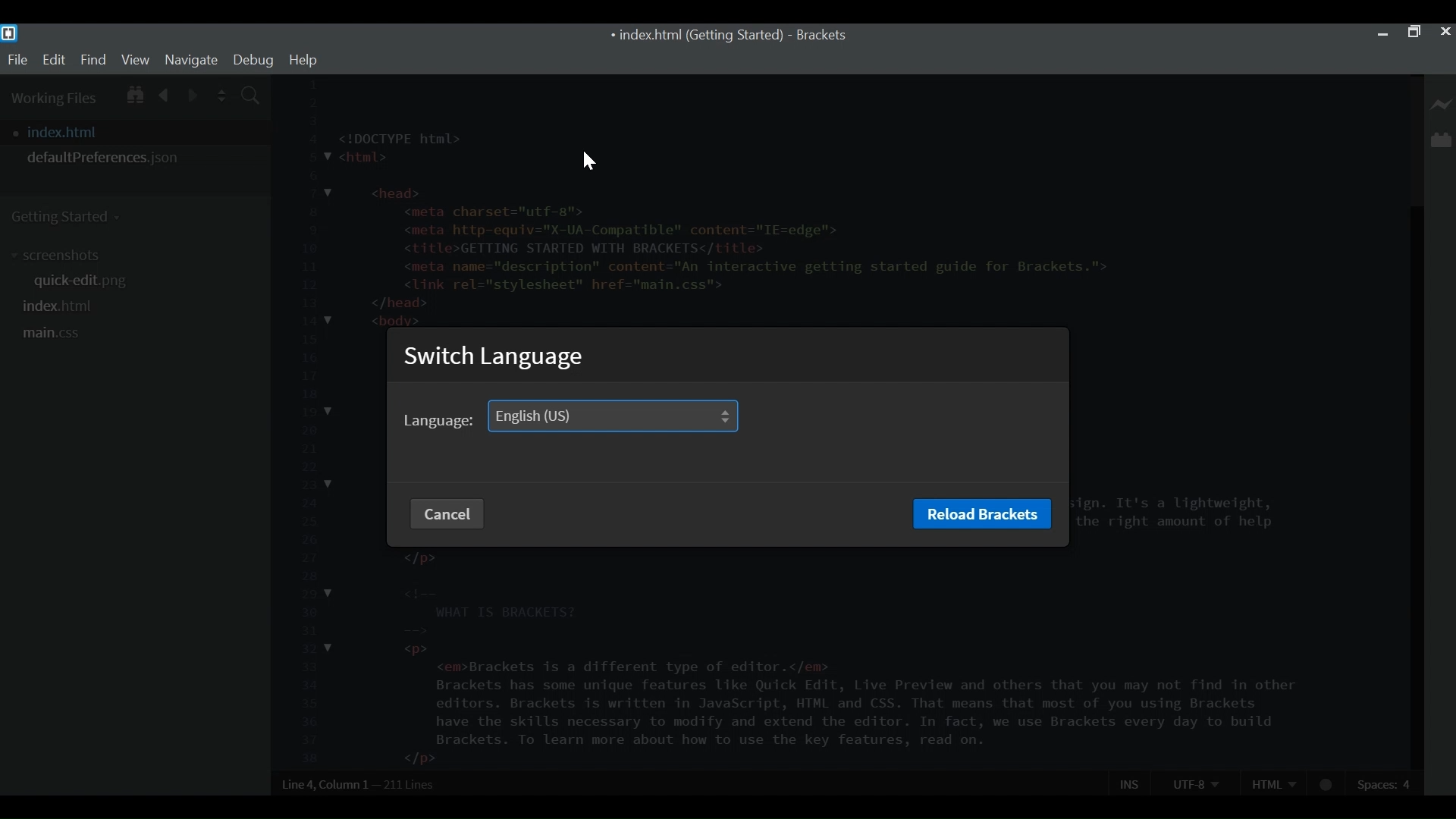 This screenshot has width=1456, height=819. I want to click on File, so click(17, 60).